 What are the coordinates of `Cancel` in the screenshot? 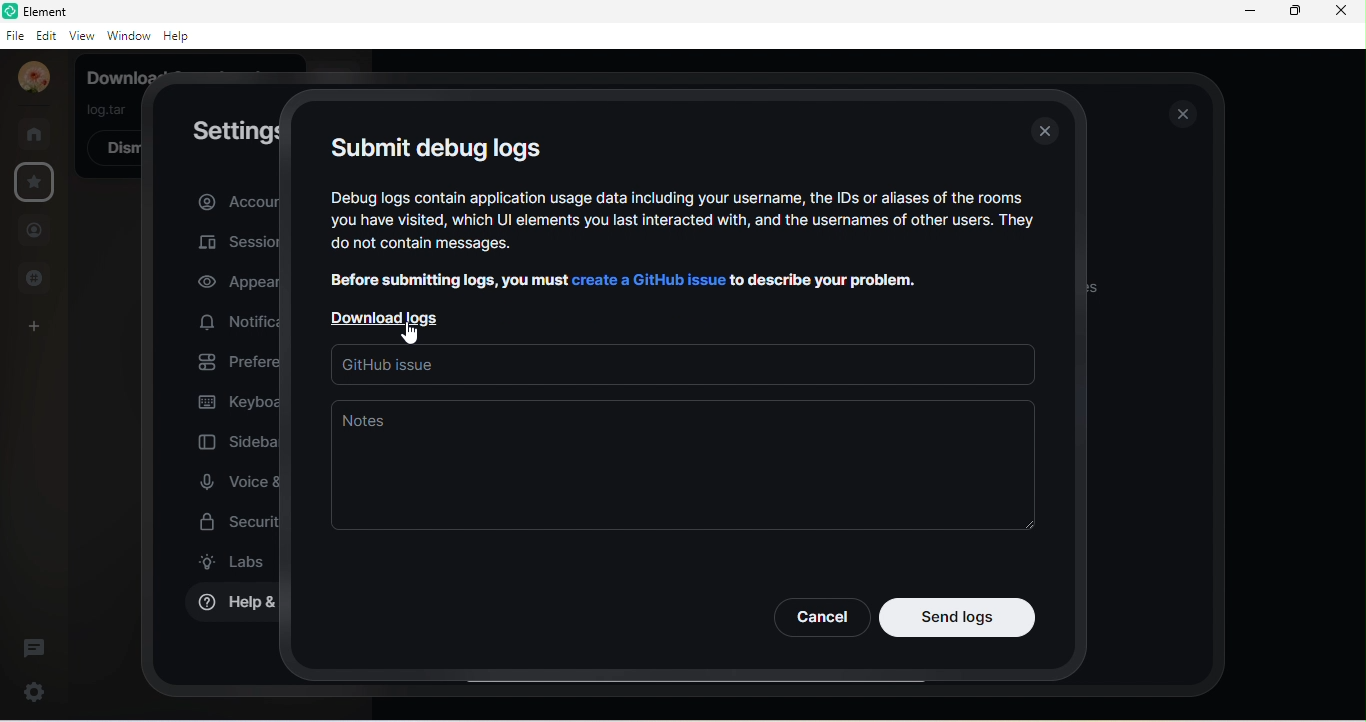 It's located at (820, 617).